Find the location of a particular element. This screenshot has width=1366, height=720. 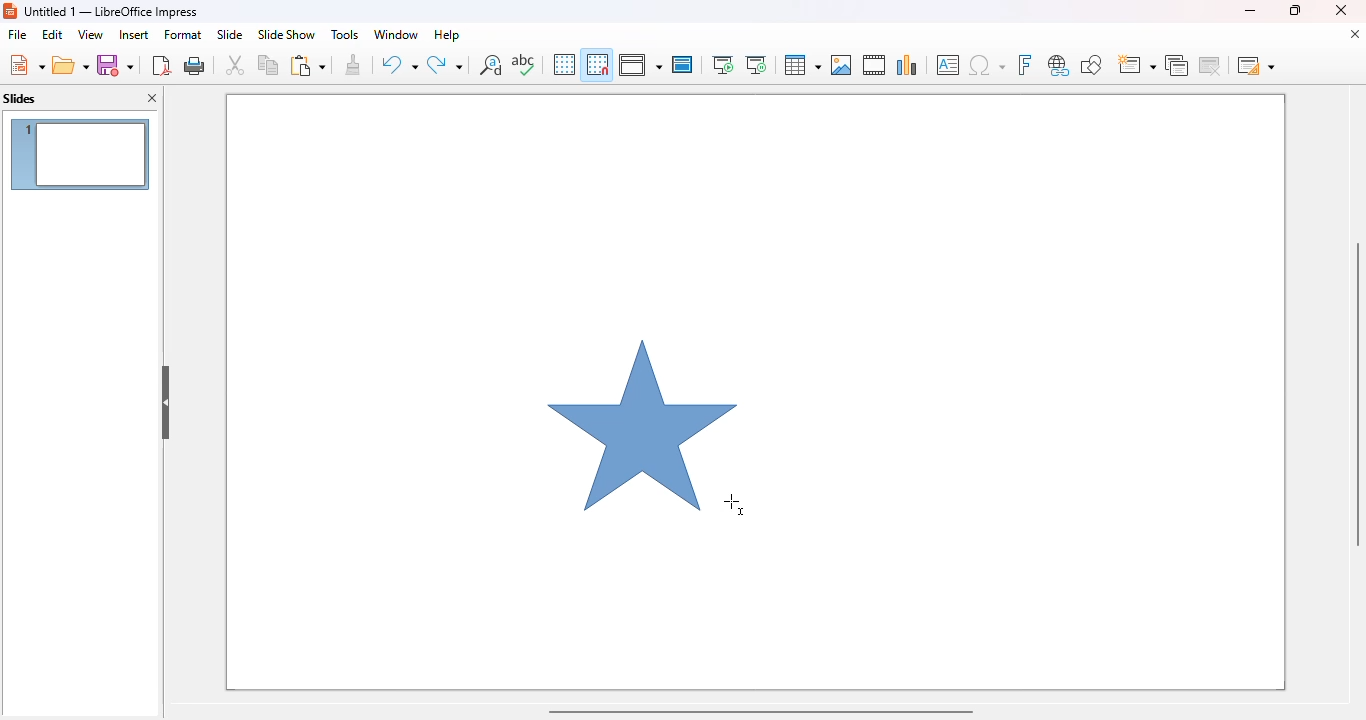

file is located at coordinates (17, 35).